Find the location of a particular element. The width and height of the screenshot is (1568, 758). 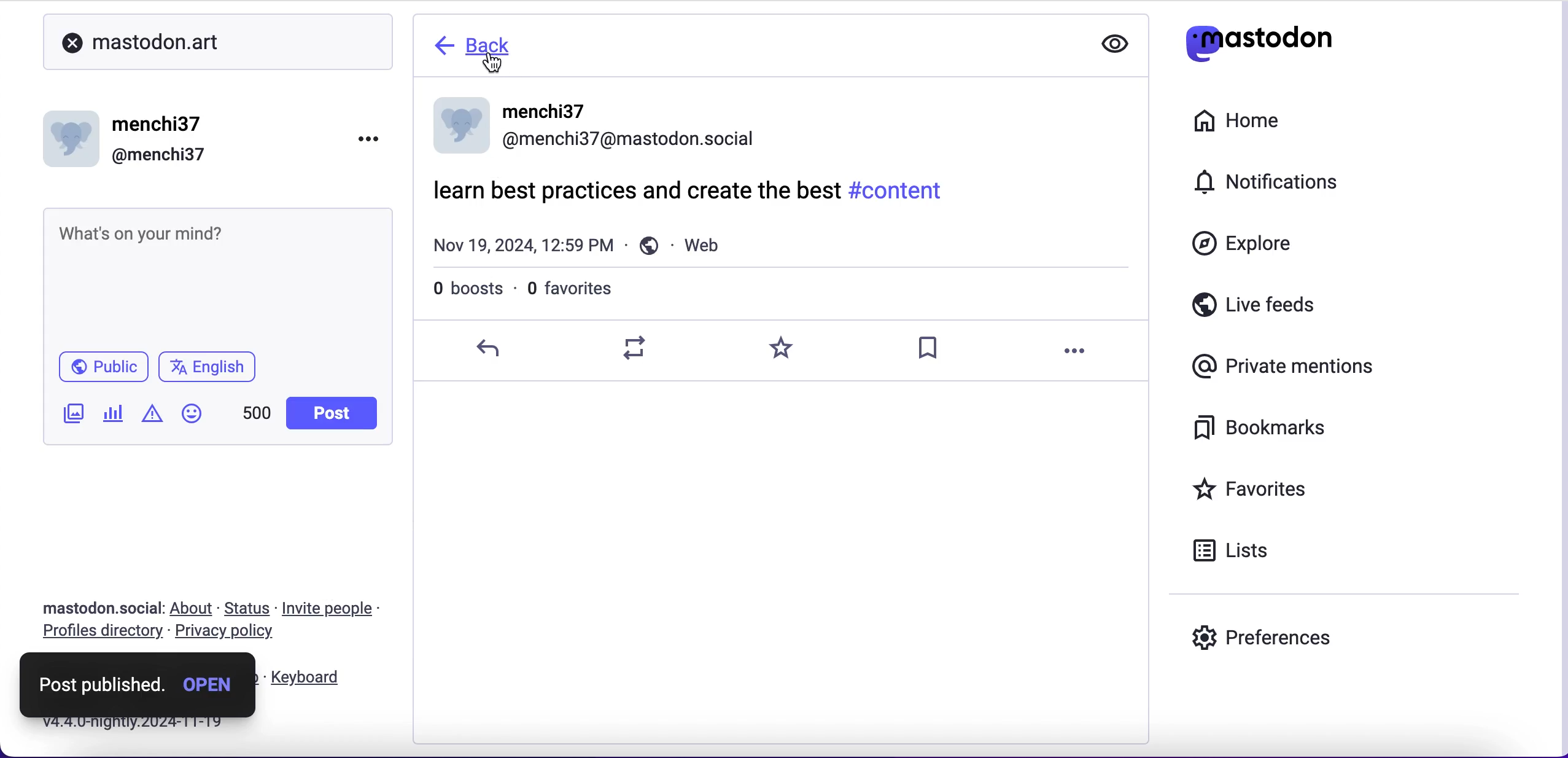

cursor is located at coordinates (496, 63).